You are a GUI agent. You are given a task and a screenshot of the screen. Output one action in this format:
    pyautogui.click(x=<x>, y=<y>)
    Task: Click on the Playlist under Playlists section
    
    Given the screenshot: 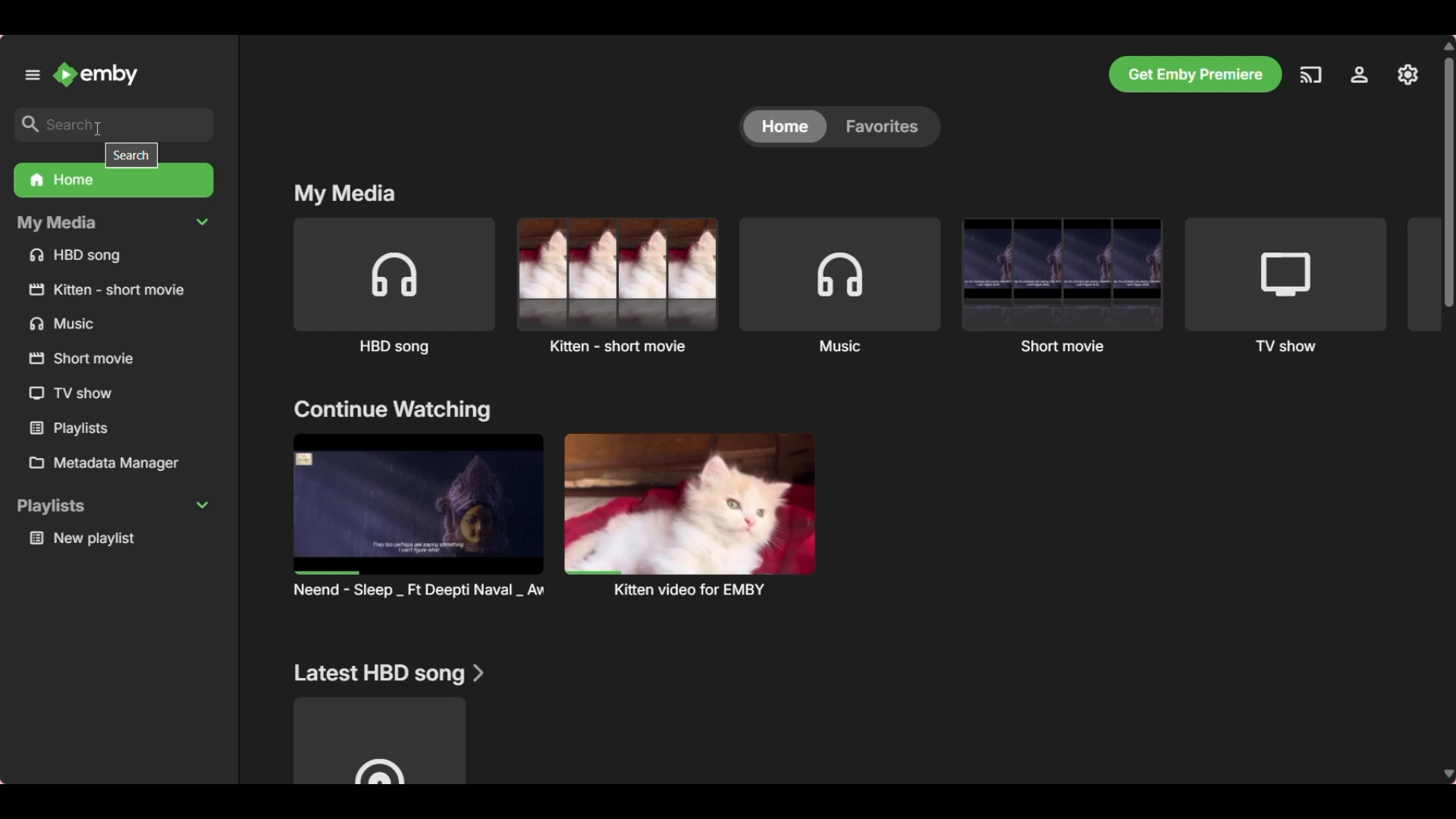 What is the action you would take?
    pyautogui.click(x=115, y=538)
    